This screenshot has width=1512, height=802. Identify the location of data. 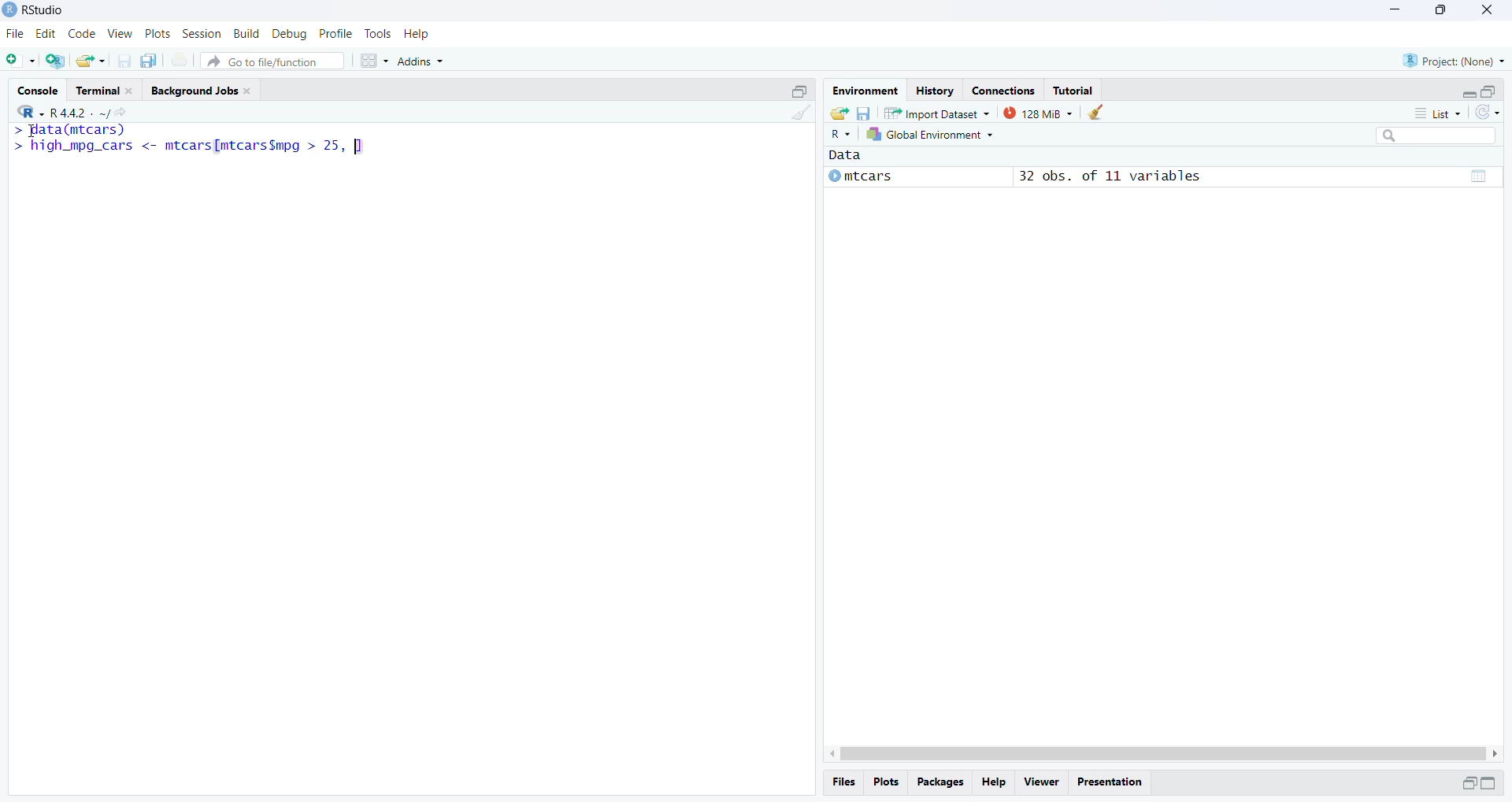
(1477, 176).